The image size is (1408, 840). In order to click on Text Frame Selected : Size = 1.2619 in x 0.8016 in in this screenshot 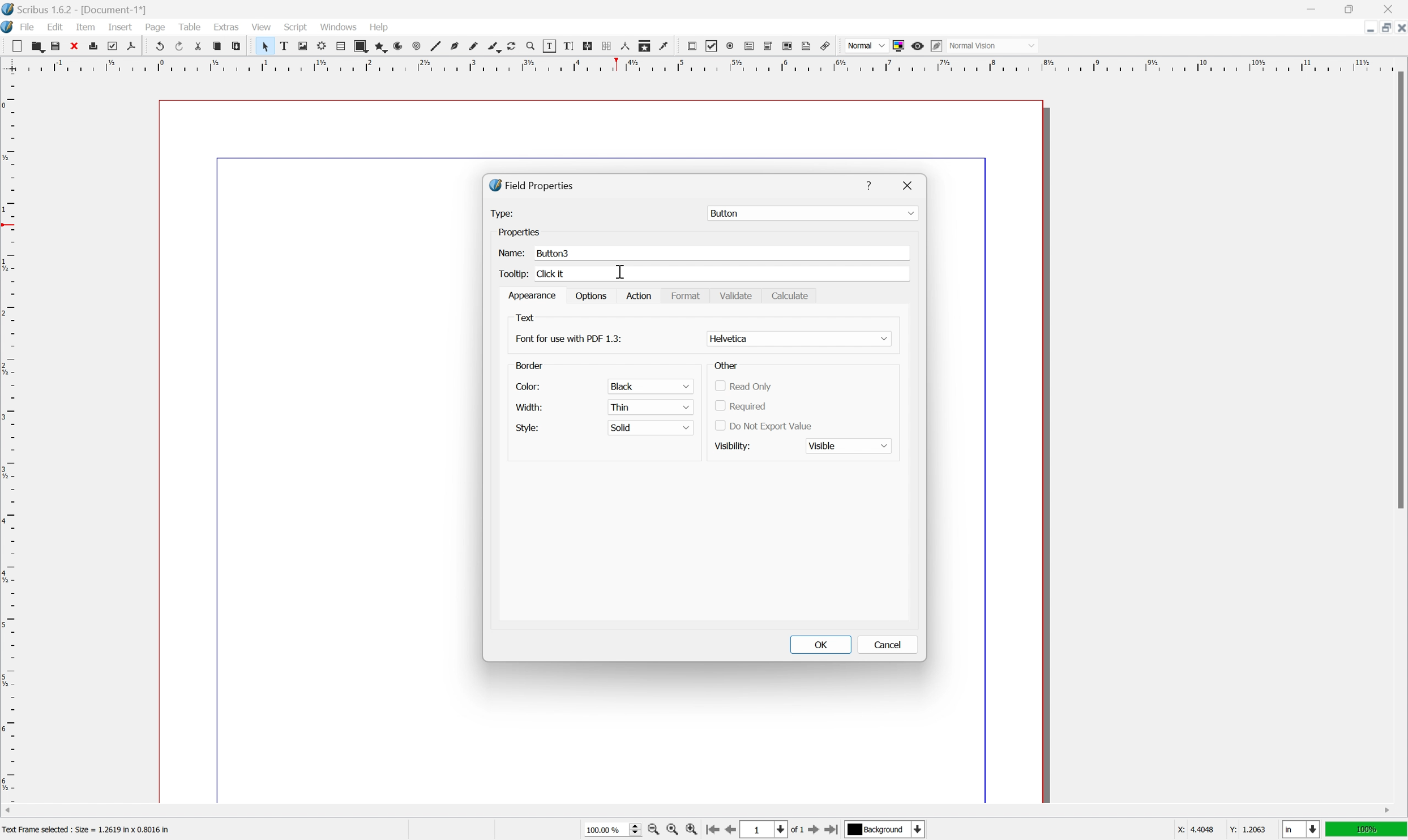, I will do `click(102, 828)`.